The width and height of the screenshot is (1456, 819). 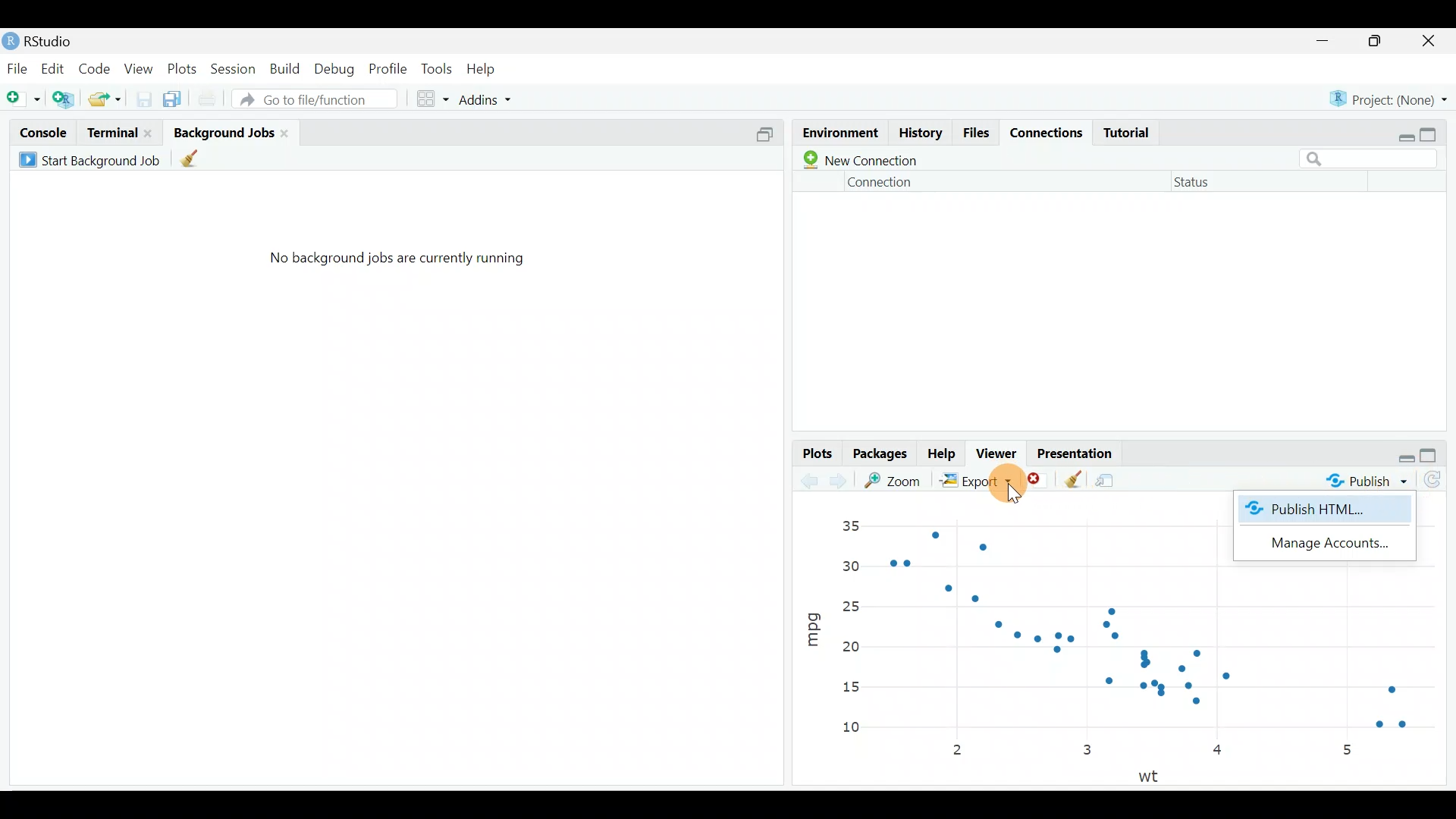 What do you see at coordinates (1389, 98) in the screenshot?
I see `Project (None)` at bounding box center [1389, 98].